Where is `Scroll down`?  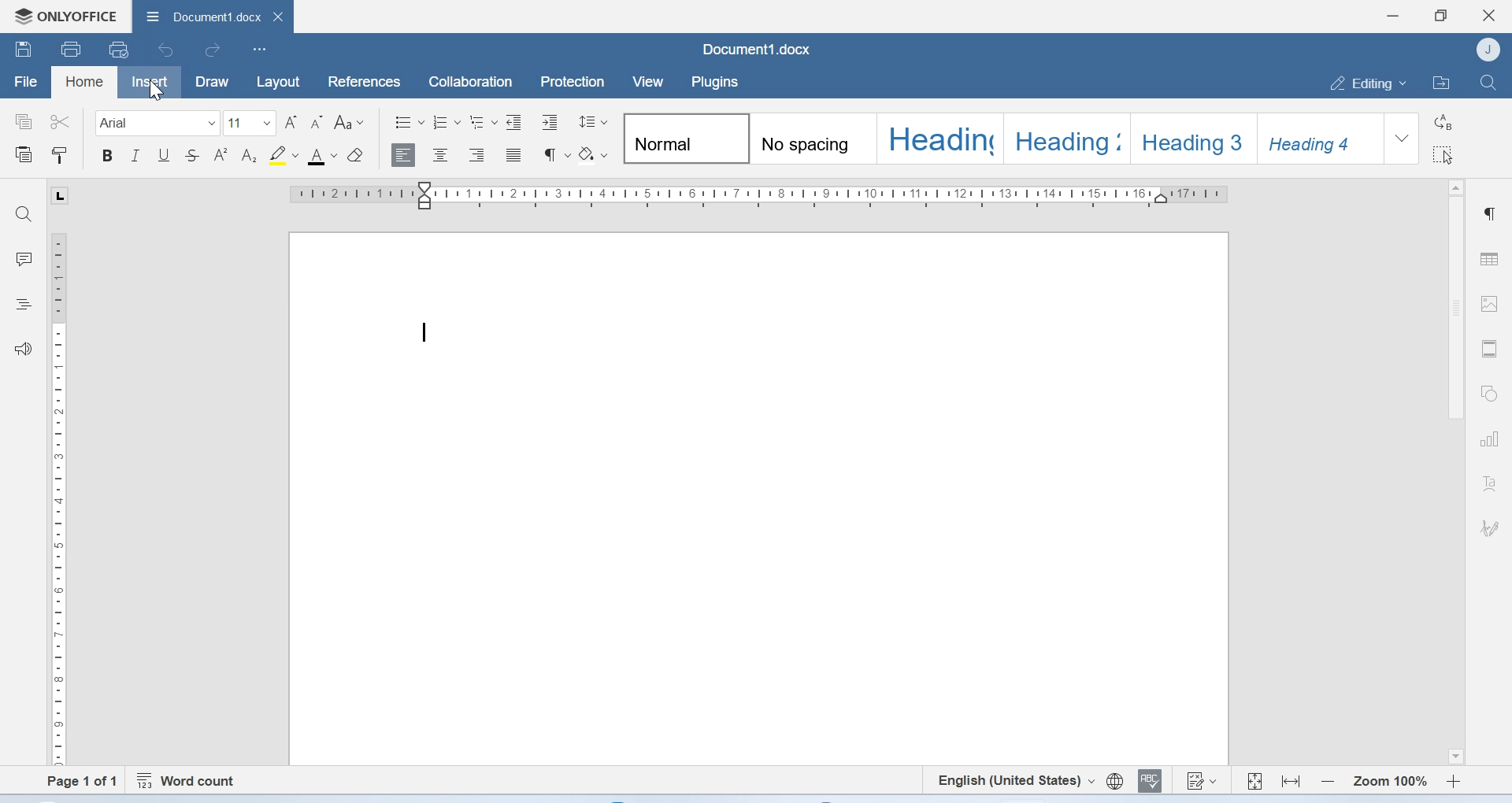 Scroll down is located at coordinates (1454, 757).